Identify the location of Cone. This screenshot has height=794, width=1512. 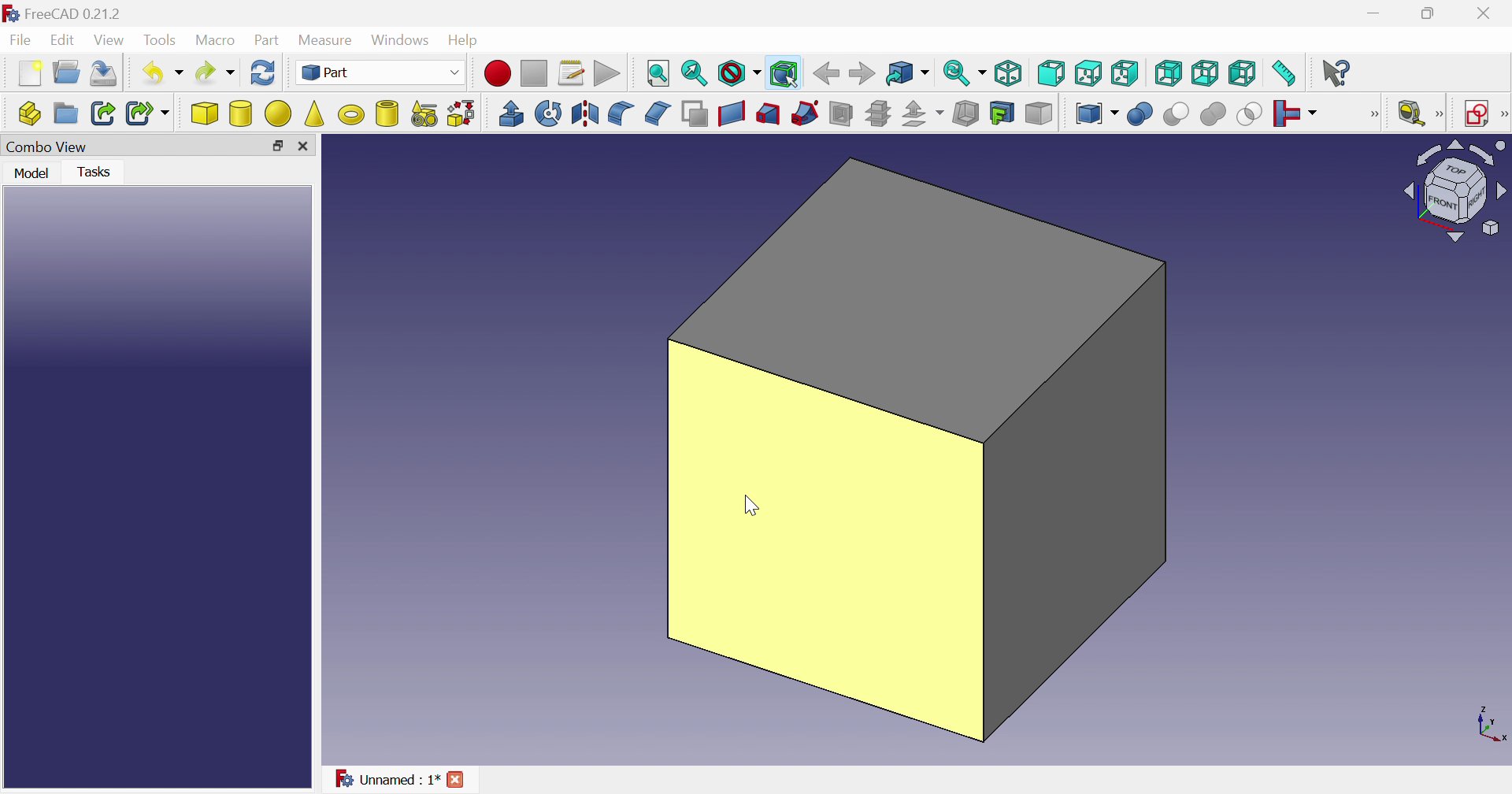
(316, 113).